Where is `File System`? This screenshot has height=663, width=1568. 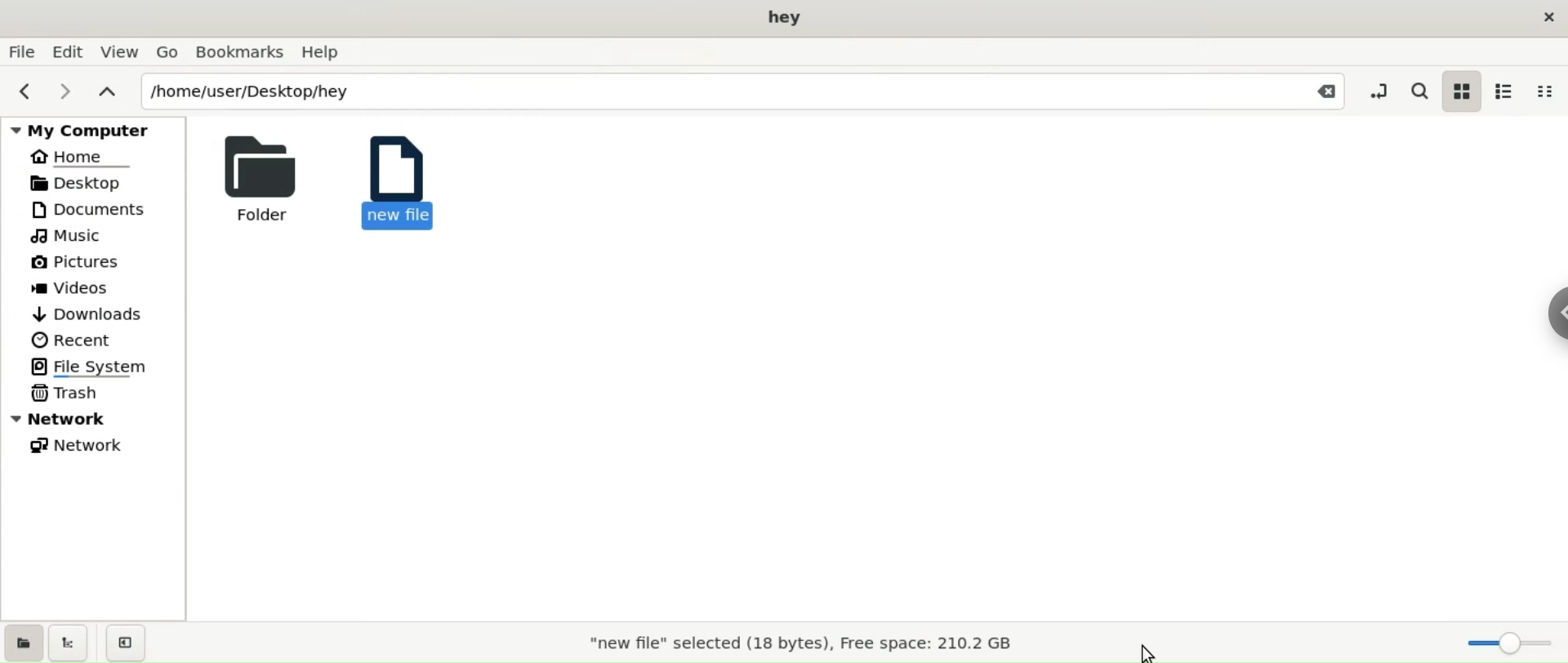 File System is located at coordinates (96, 366).